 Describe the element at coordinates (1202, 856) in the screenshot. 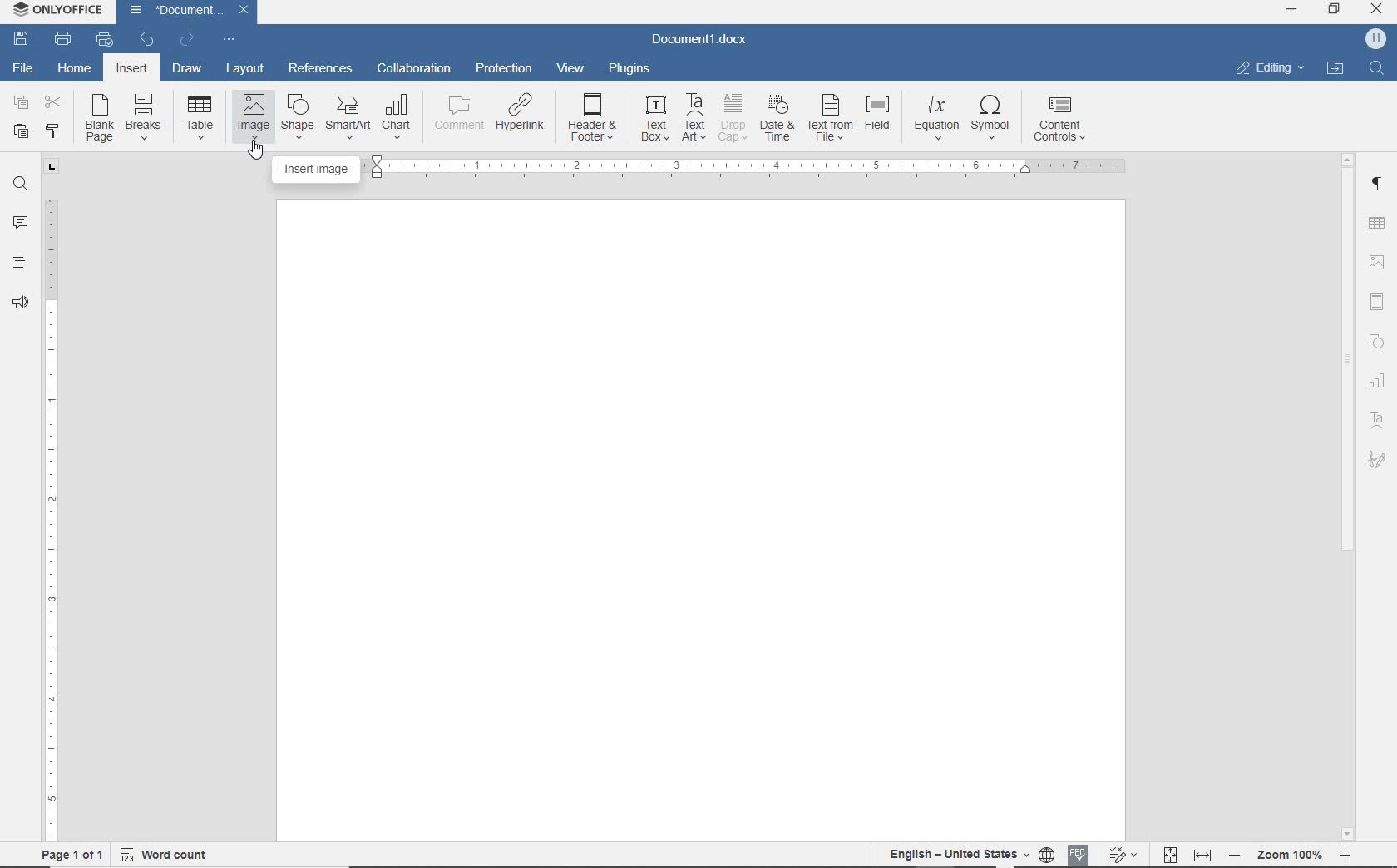

I see `fit to width` at that location.